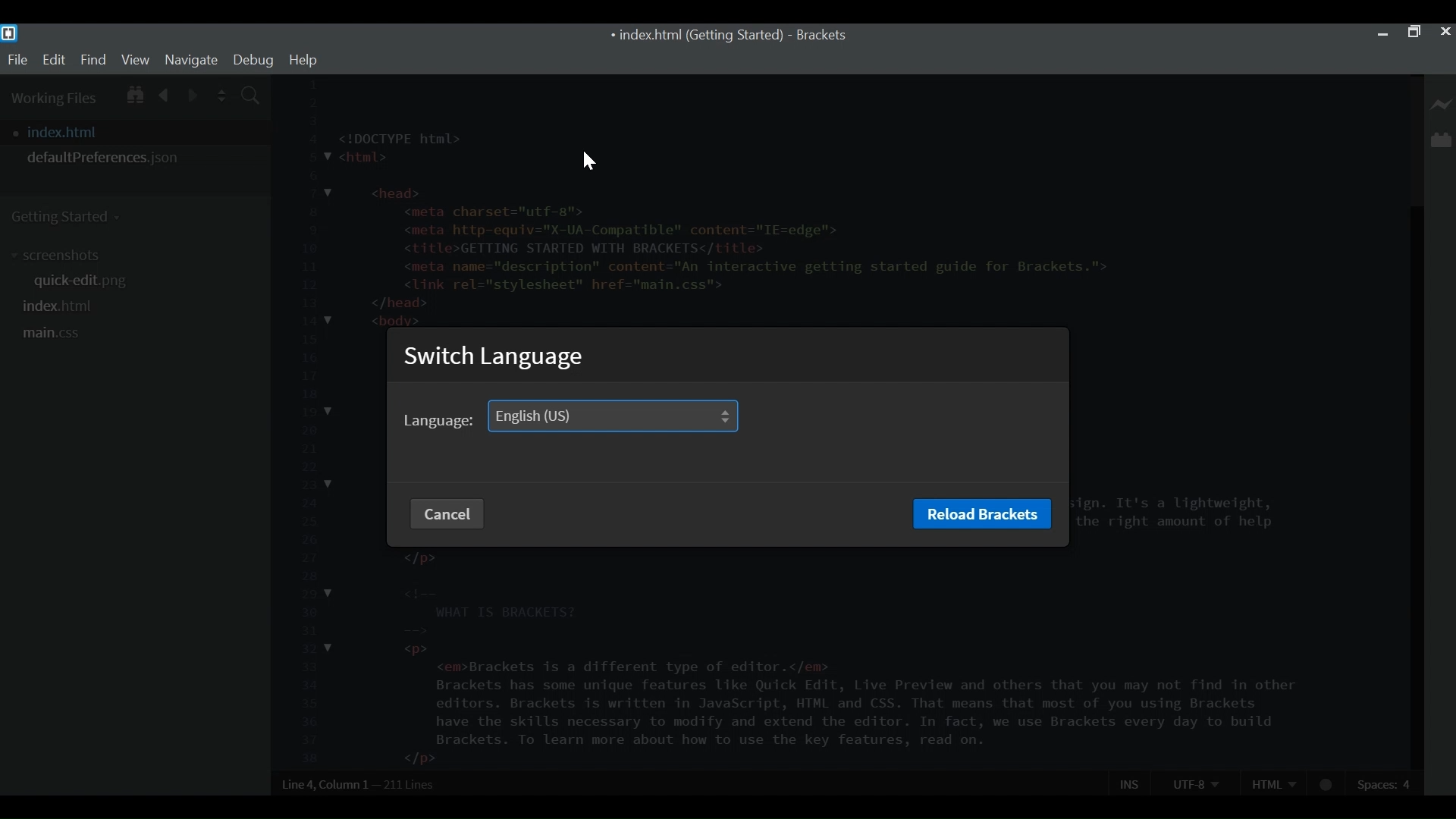 The height and width of the screenshot is (819, 1456). I want to click on Live Preview, so click(1442, 105).